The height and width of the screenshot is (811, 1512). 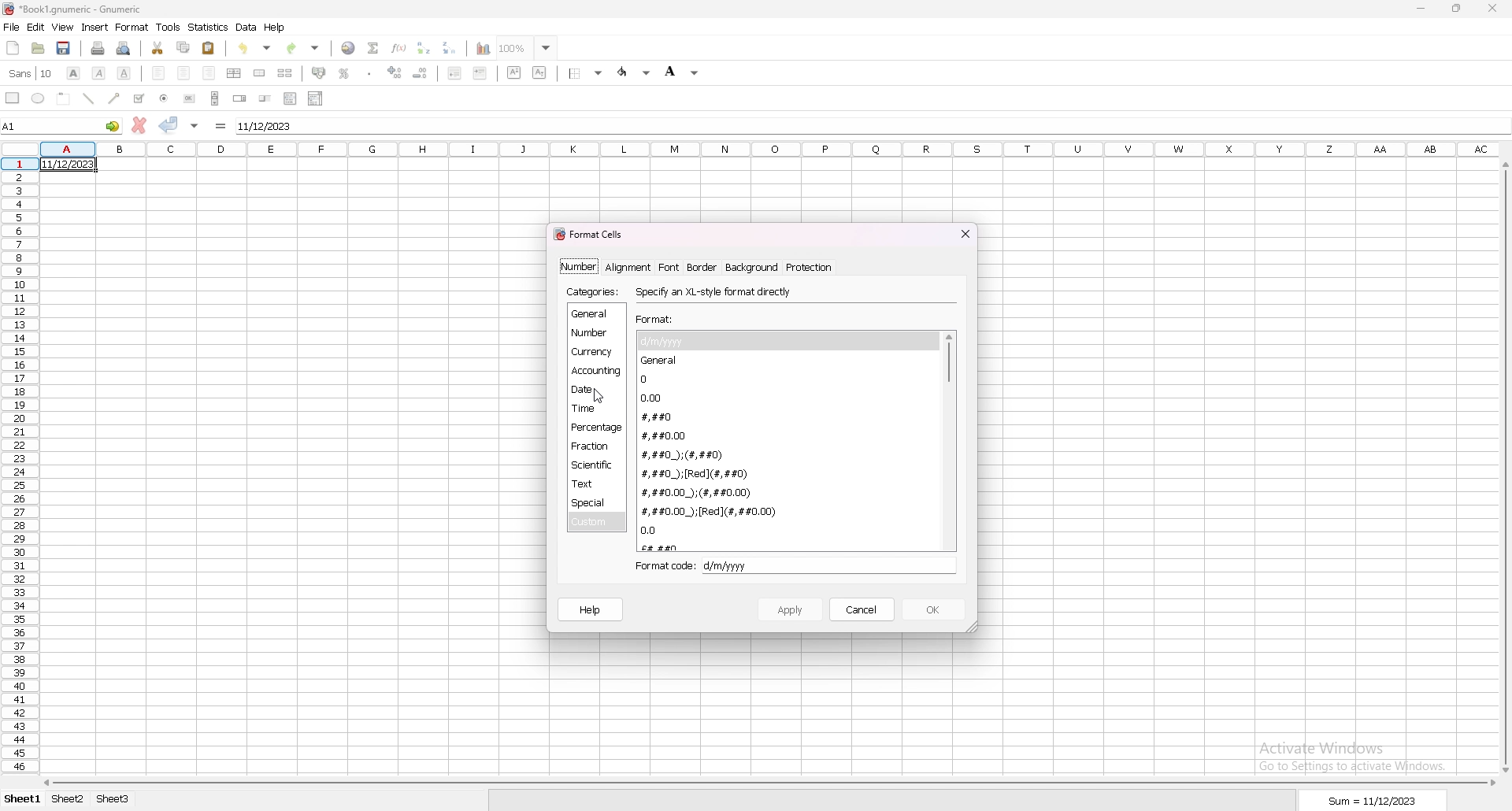 What do you see at coordinates (98, 73) in the screenshot?
I see `italic` at bounding box center [98, 73].